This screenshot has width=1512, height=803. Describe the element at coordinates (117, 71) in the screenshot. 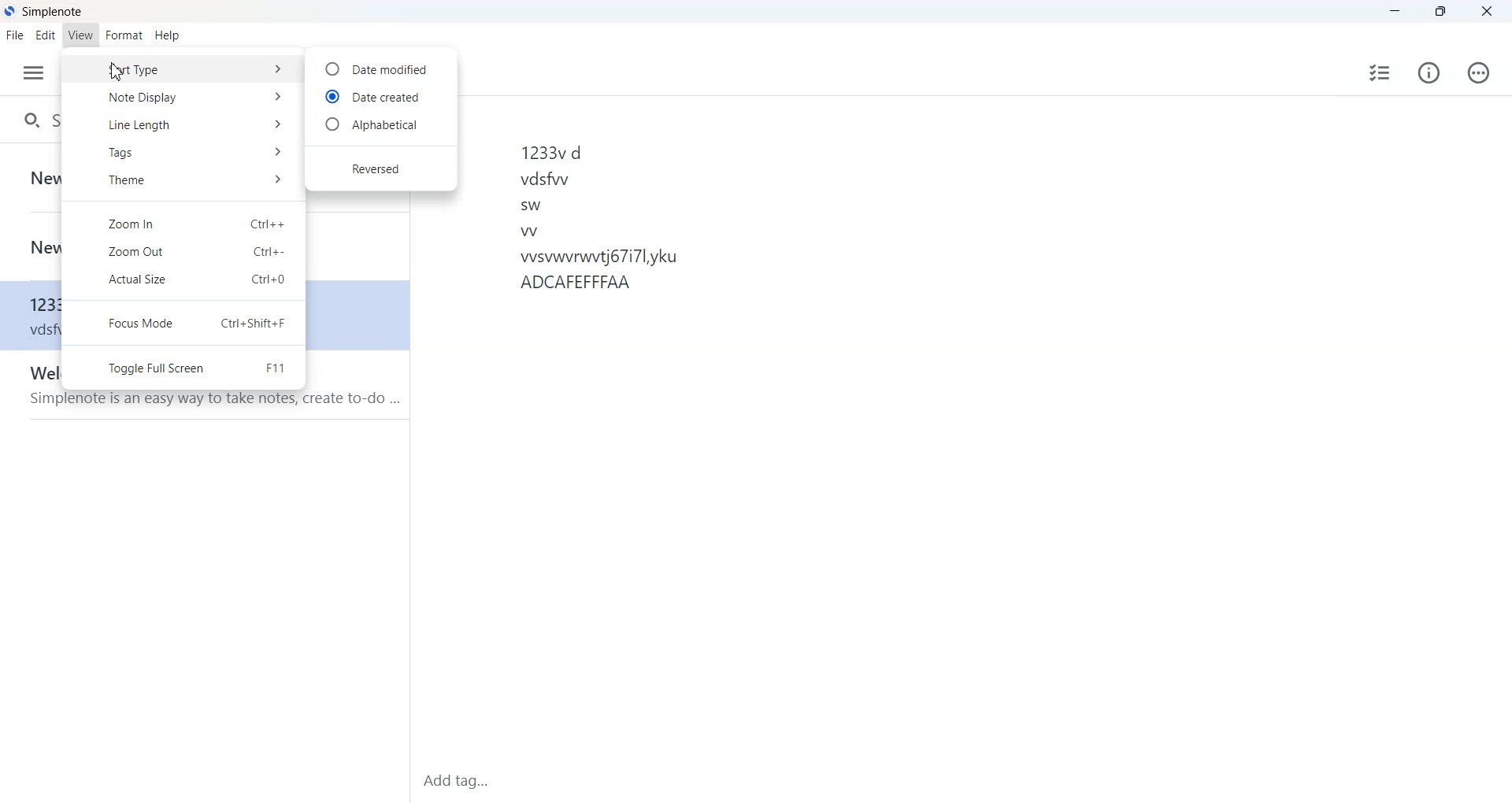

I see `Cursor` at that location.